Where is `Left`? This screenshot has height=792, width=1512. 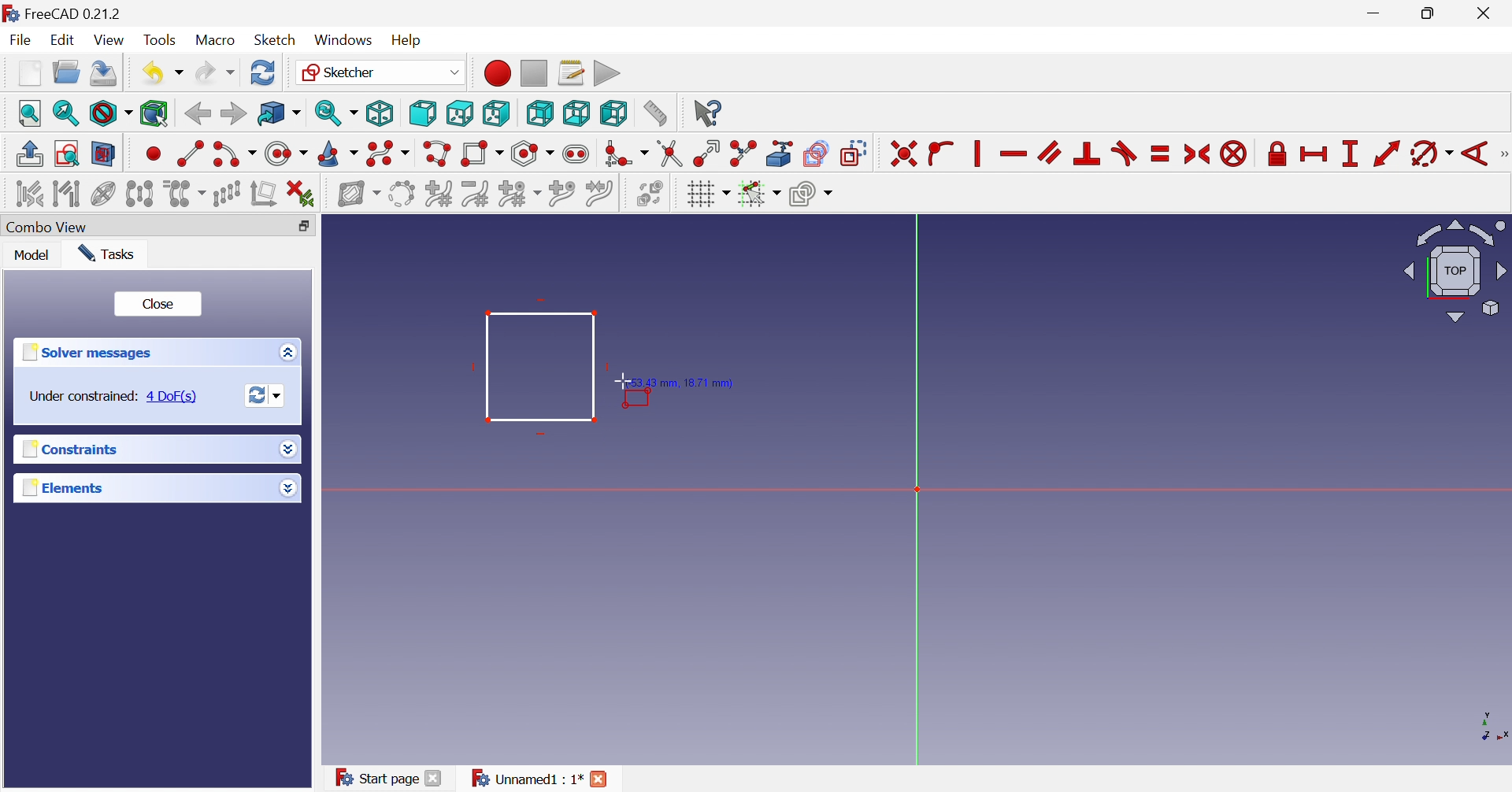 Left is located at coordinates (613, 113).